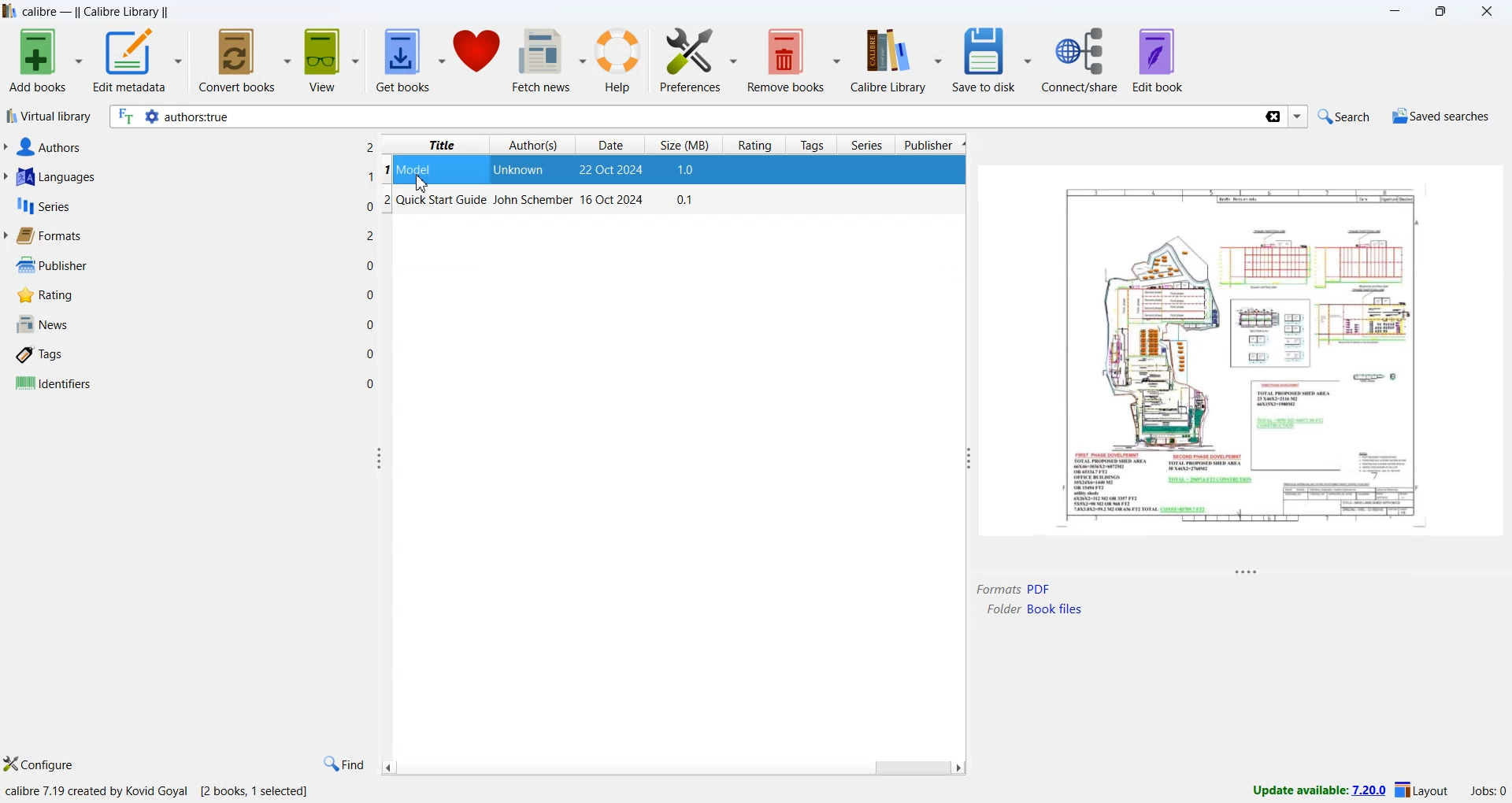 Image resolution: width=1512 pixels, height=803 pixels. I want to click on close app, so click(1489, 12).